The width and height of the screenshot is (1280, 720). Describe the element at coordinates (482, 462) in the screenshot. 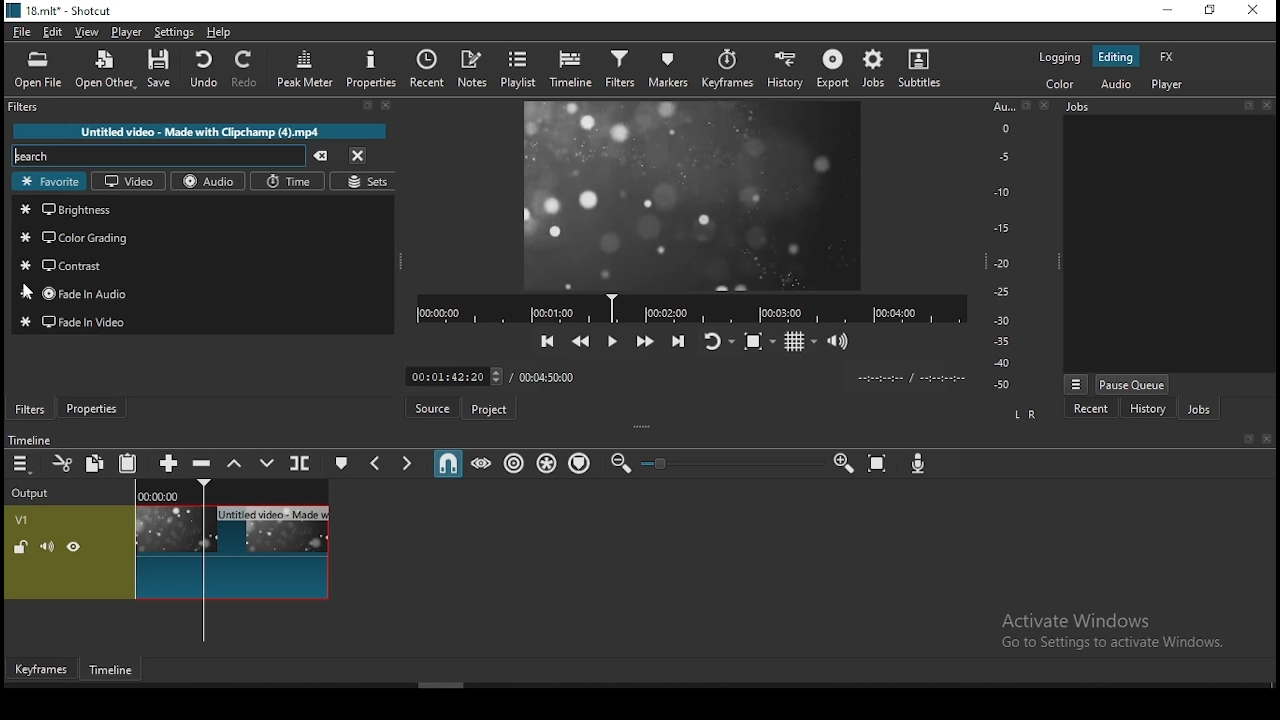

I see `scrub while dragging` at that location.